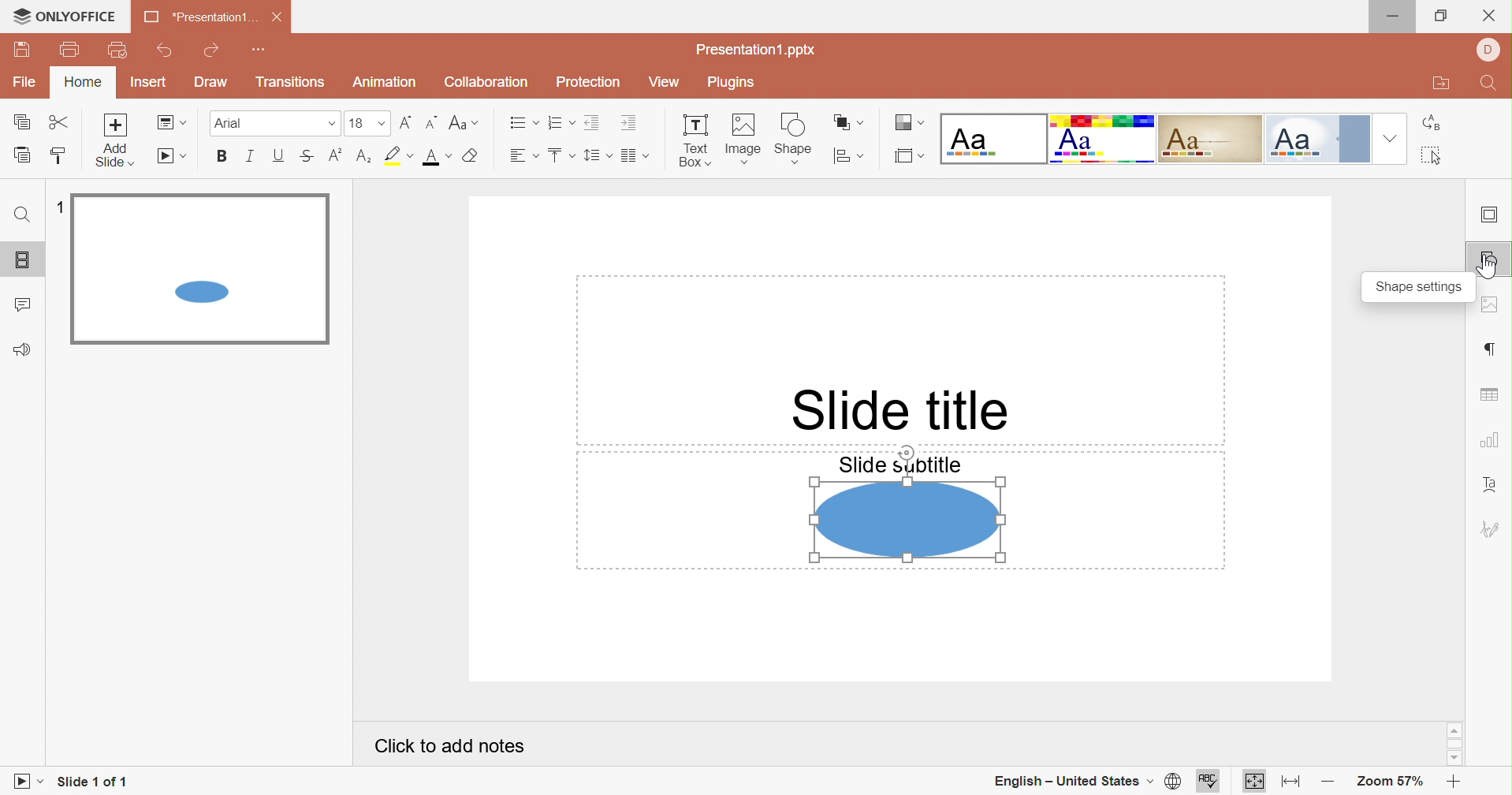  Describe the element at coordinates (58, 121) in the screenshot. I see `Cut` at that location.